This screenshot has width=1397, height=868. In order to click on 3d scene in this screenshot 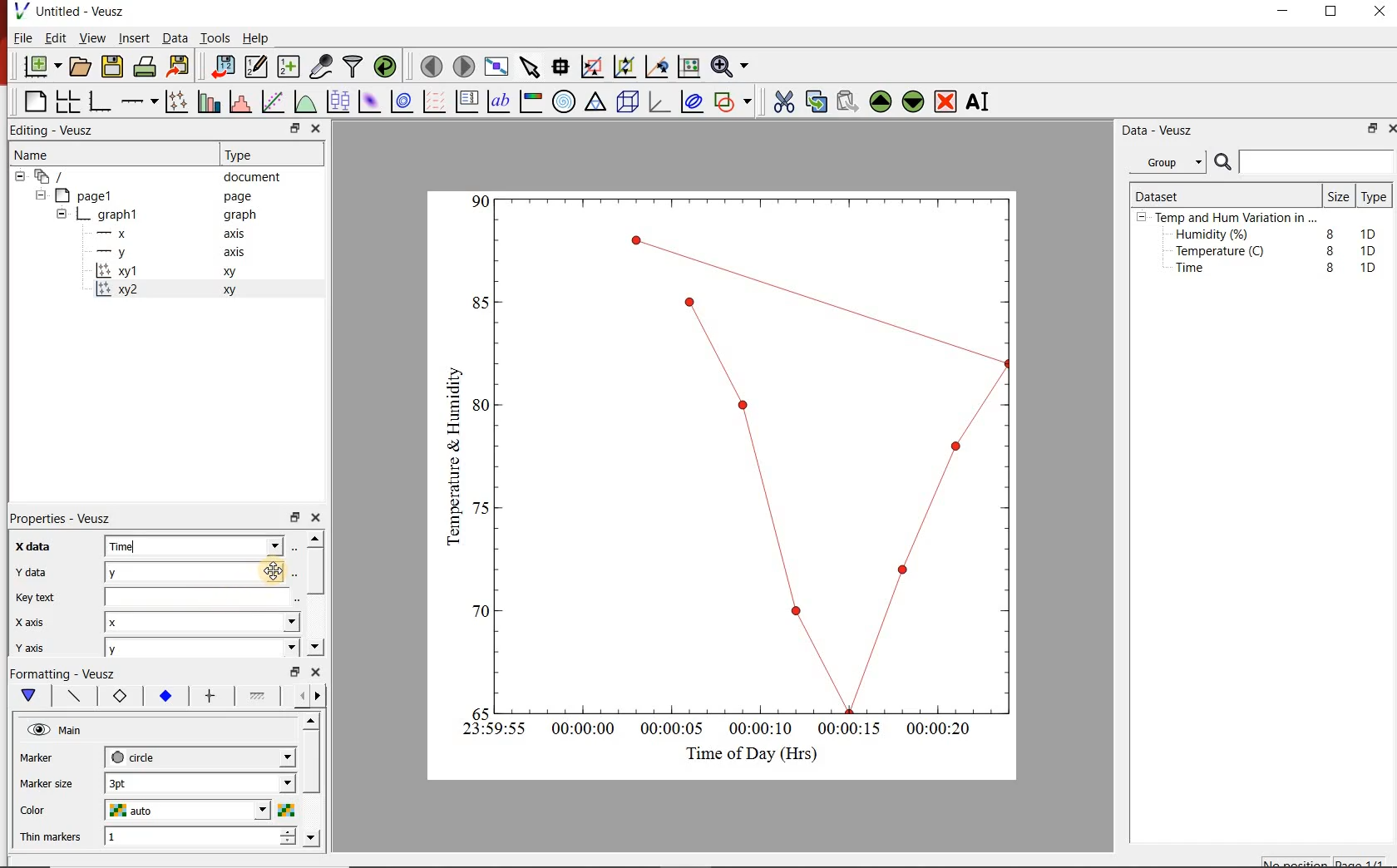, I will do `click(629, 104)`.